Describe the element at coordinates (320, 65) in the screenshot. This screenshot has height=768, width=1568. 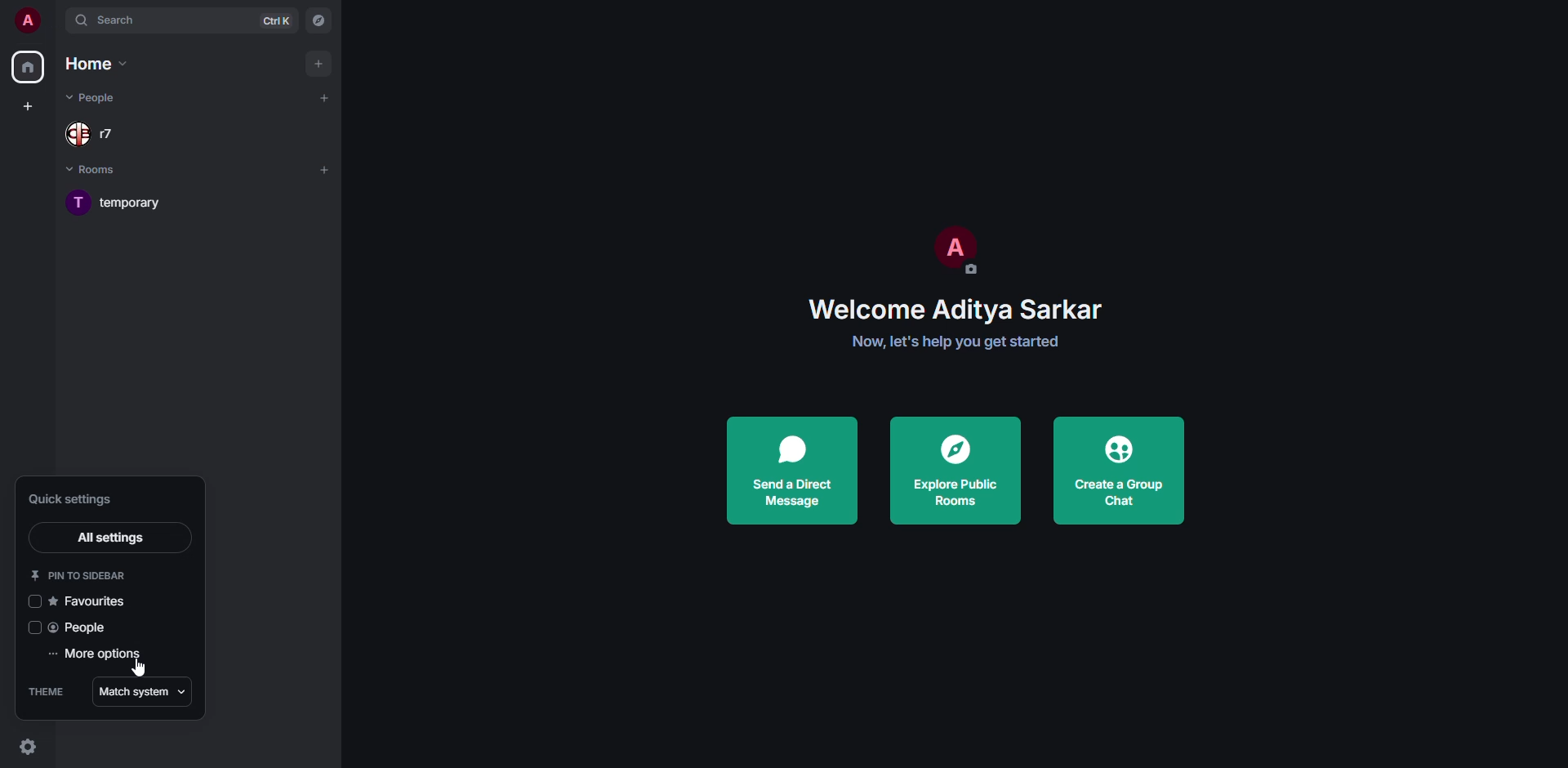
I see `add` at that location.